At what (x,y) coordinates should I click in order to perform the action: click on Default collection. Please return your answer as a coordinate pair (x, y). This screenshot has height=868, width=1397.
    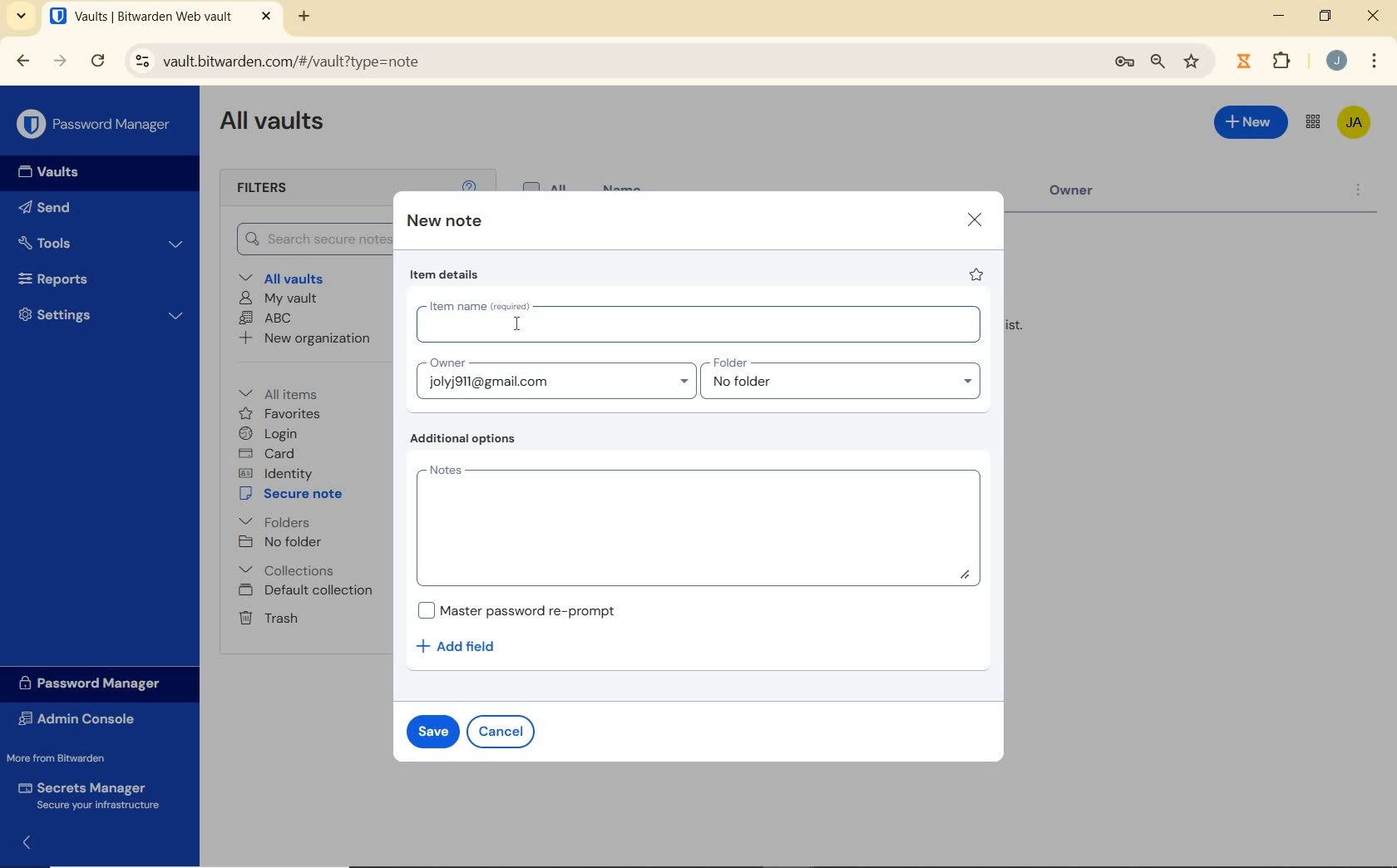
    Looking at the image, I should click on (308, 591).